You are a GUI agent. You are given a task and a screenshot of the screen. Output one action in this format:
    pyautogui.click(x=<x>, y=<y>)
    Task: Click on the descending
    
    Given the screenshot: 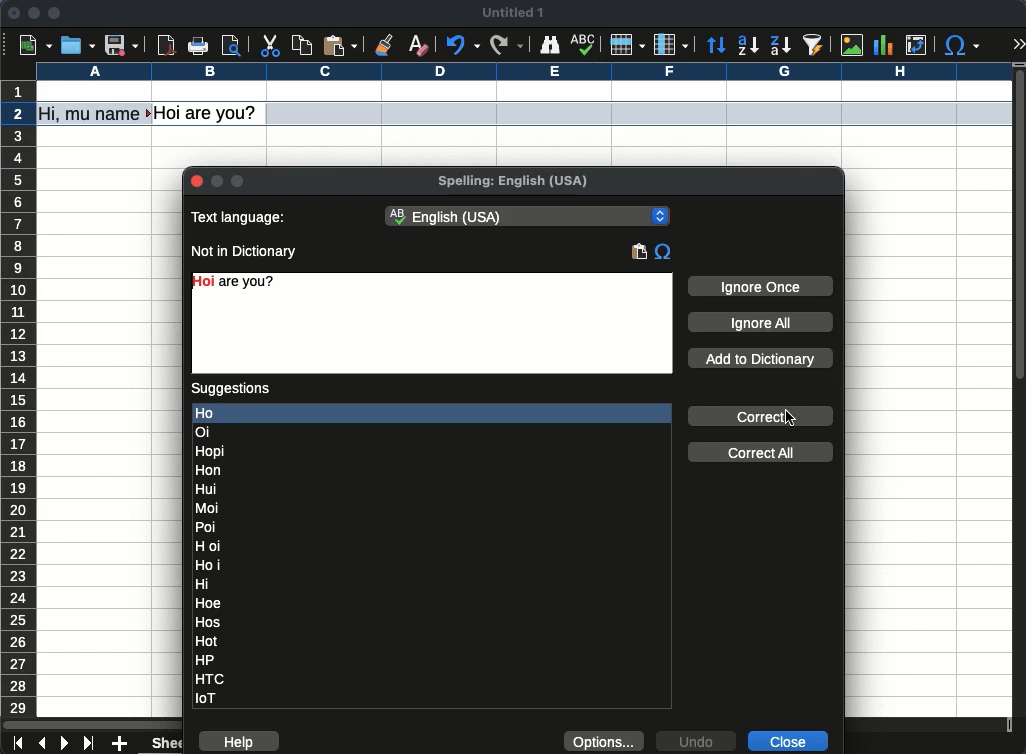 What is the action you would take?
    pyautogui.click(x=780, y=45)
    